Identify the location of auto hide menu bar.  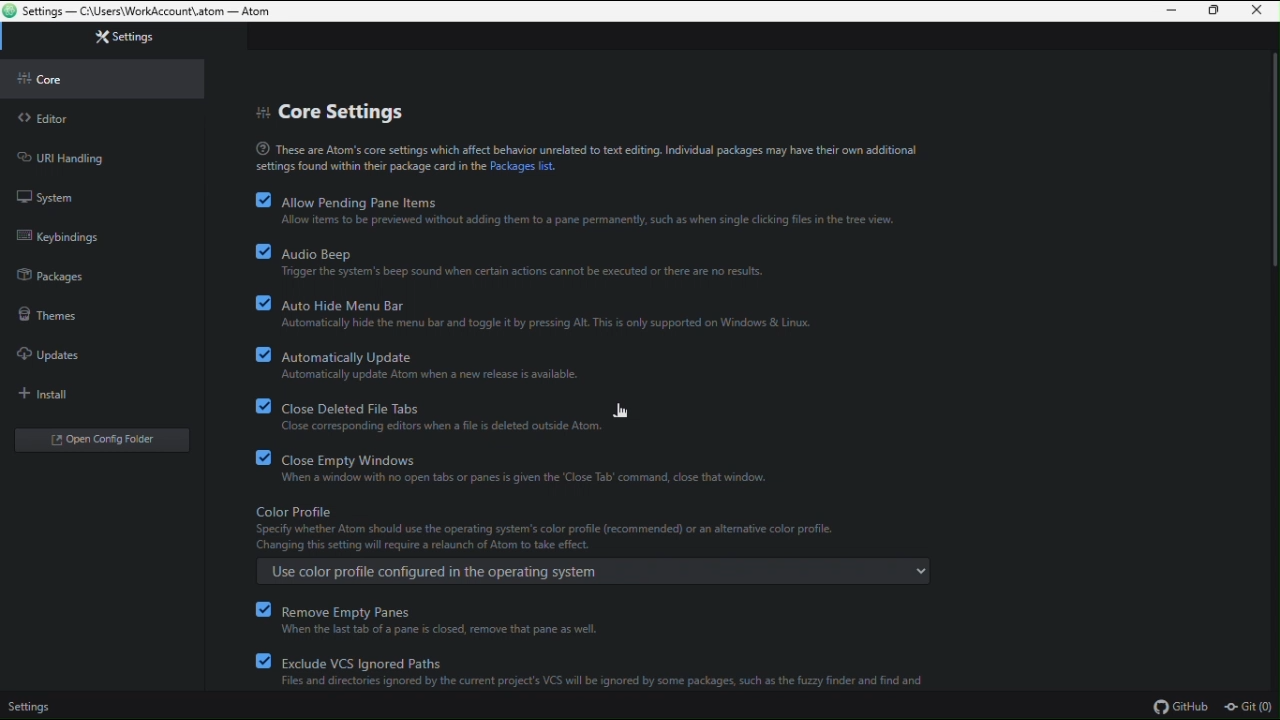
(558, 311).